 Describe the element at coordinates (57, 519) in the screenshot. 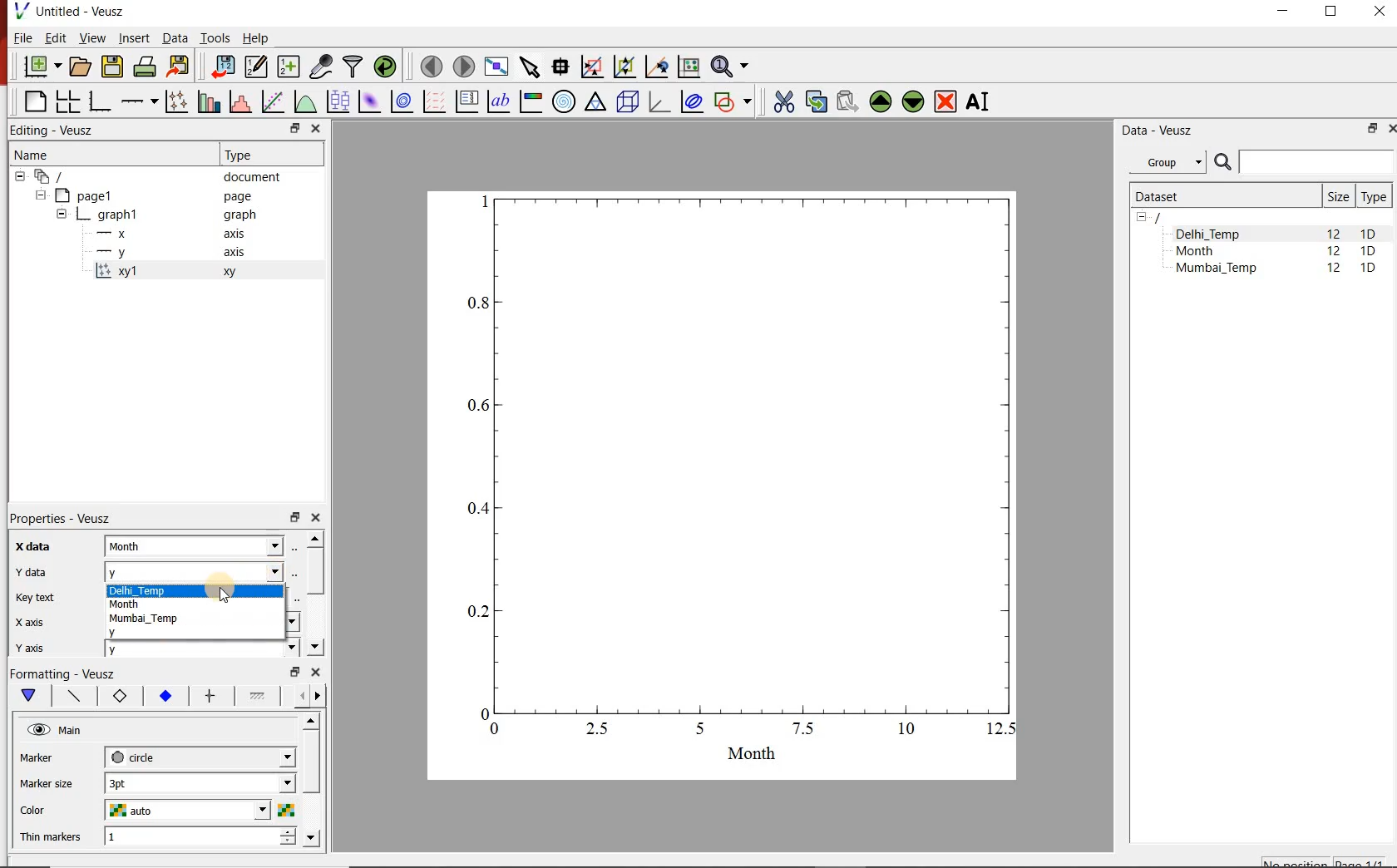

I see `Properties - Veusz` at that location.